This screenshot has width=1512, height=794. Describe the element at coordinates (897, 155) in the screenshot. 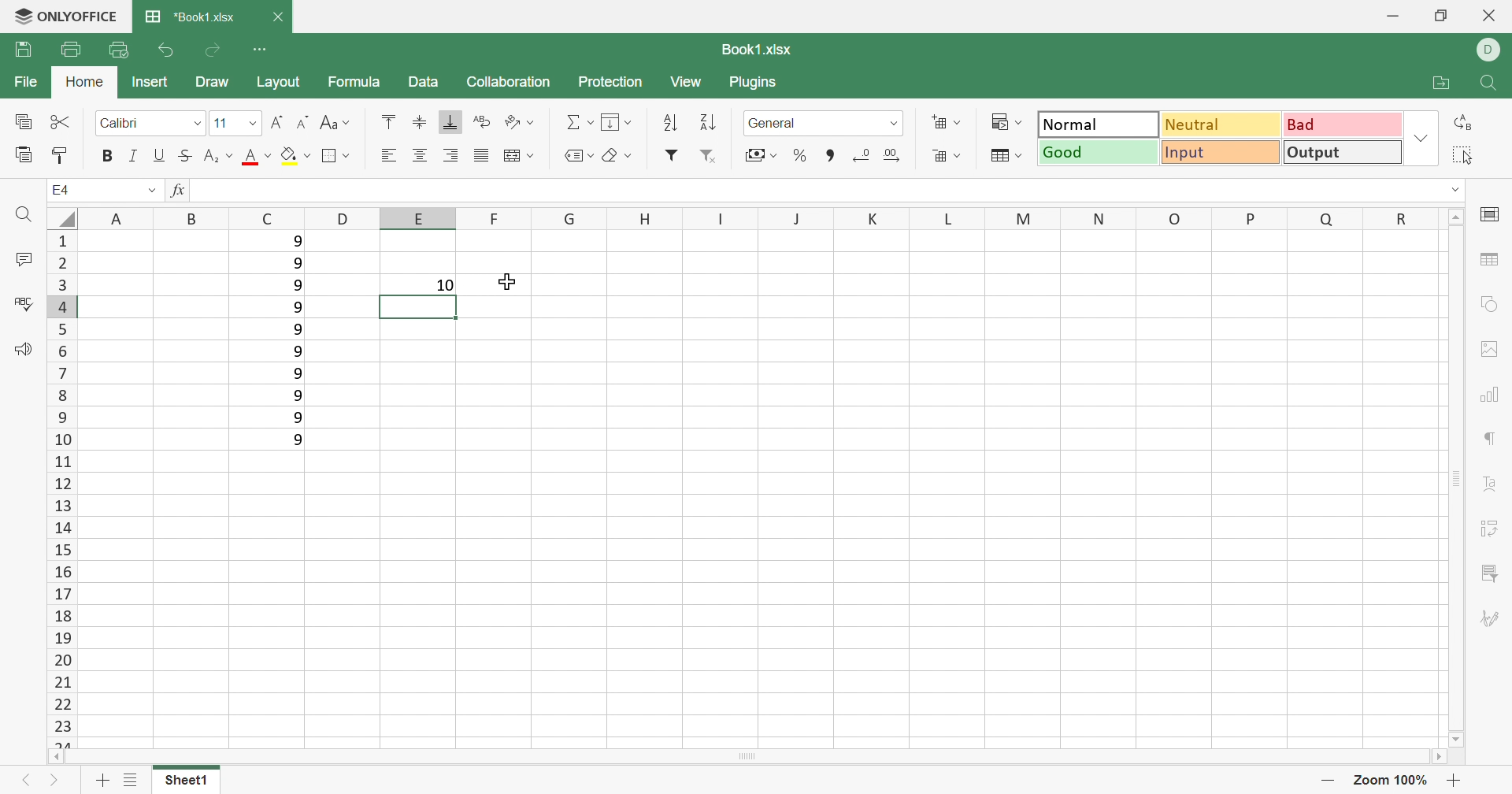

I see `Increase decimals` at that location.